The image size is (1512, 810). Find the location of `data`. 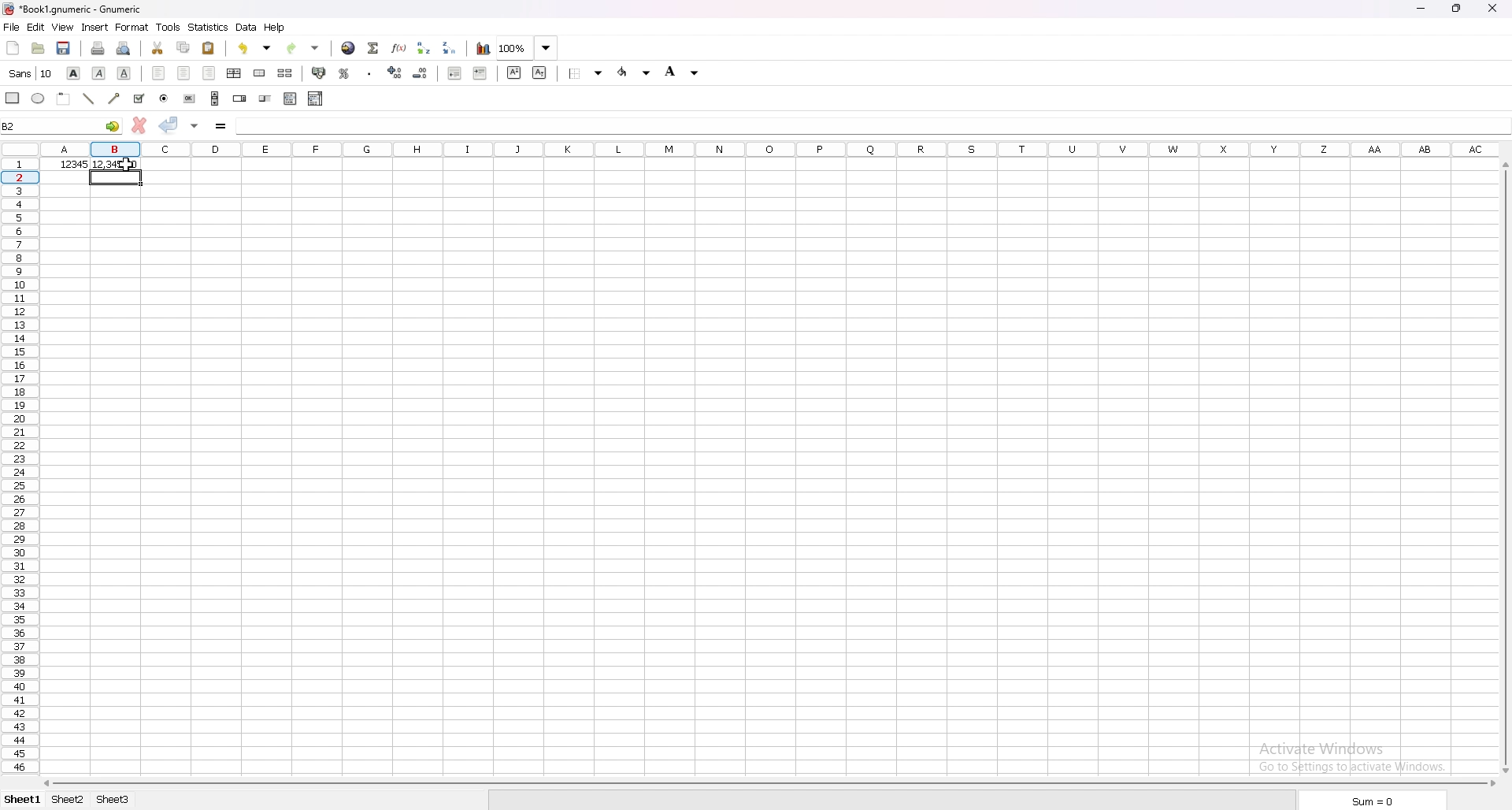

data is located at coordinates (246, 27).